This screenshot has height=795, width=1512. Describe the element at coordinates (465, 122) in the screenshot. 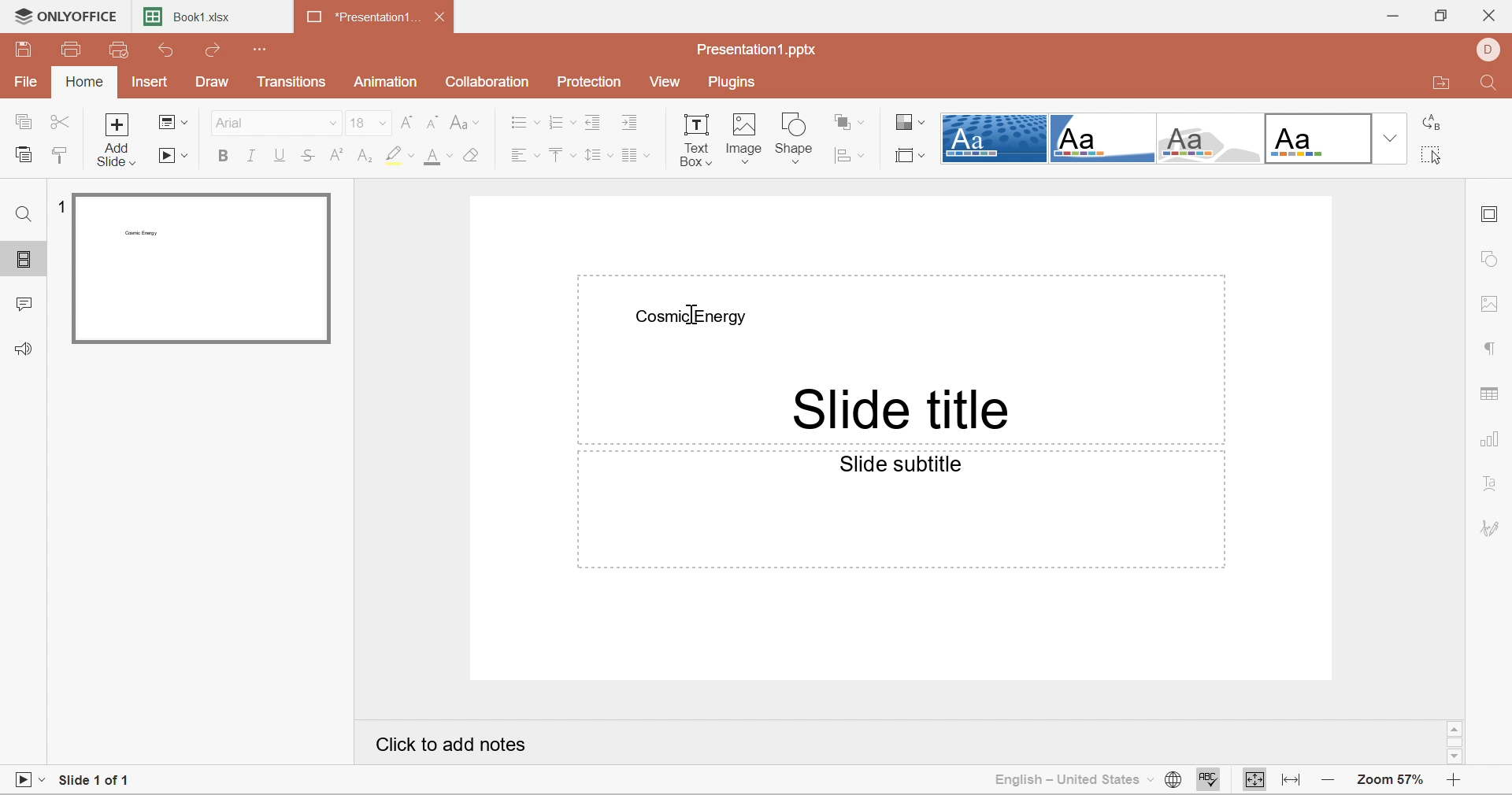

I see `Change Case` at that location.